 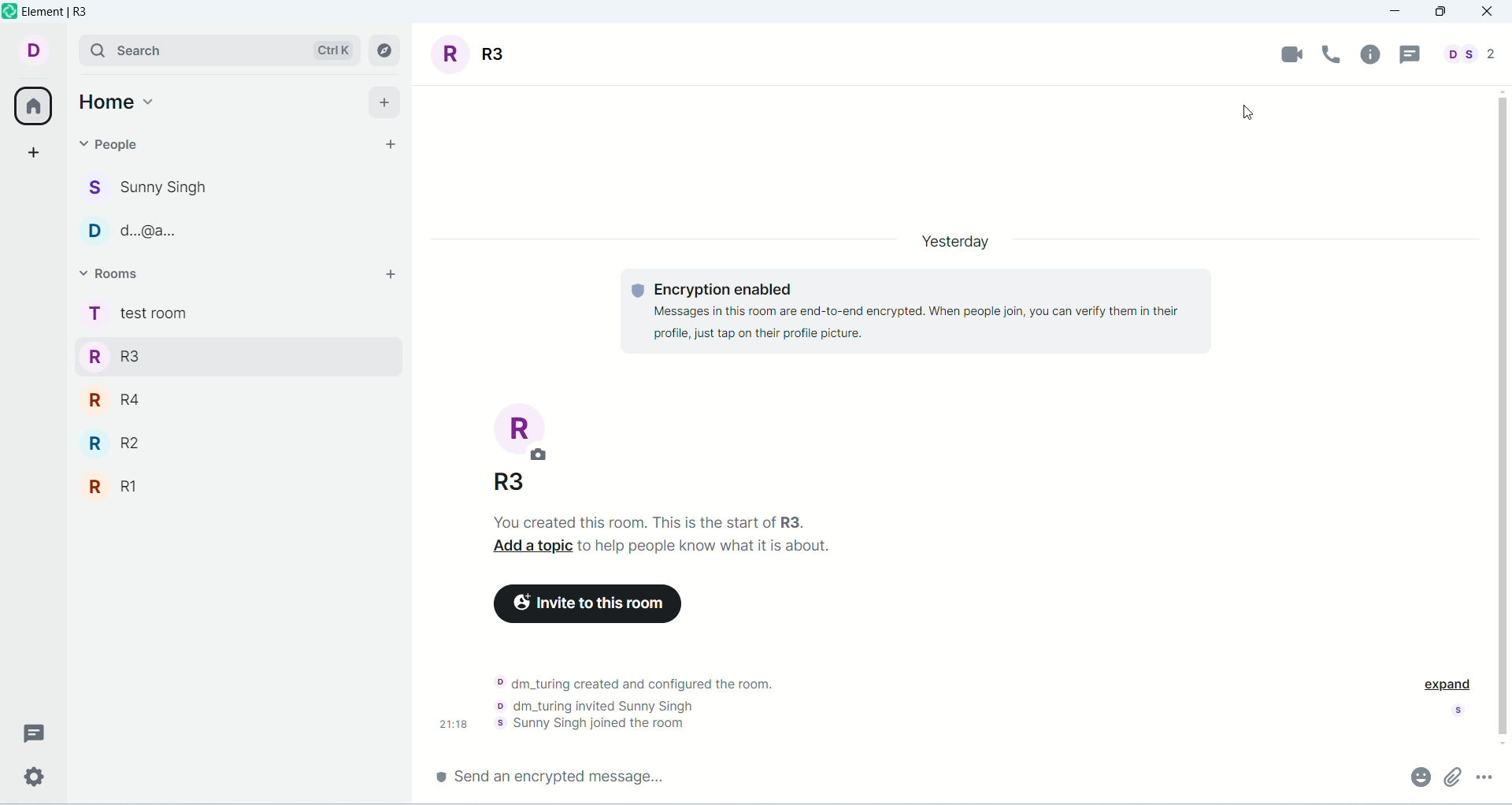 What do you see at coordinates (556, 774) in the screenshot?
I see `send message` at bounding box center [556, 774].